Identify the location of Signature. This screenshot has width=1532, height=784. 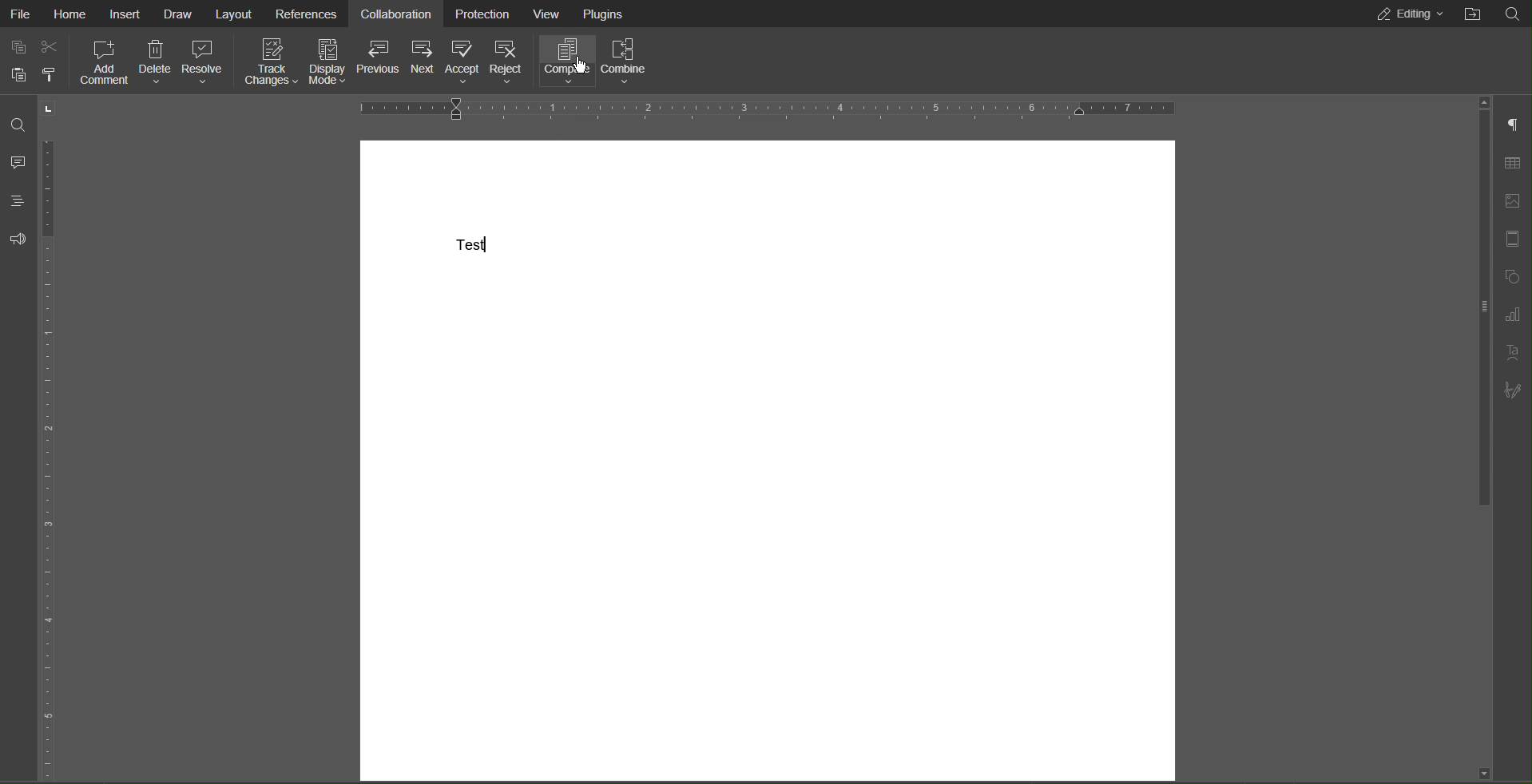
(1513, 389).